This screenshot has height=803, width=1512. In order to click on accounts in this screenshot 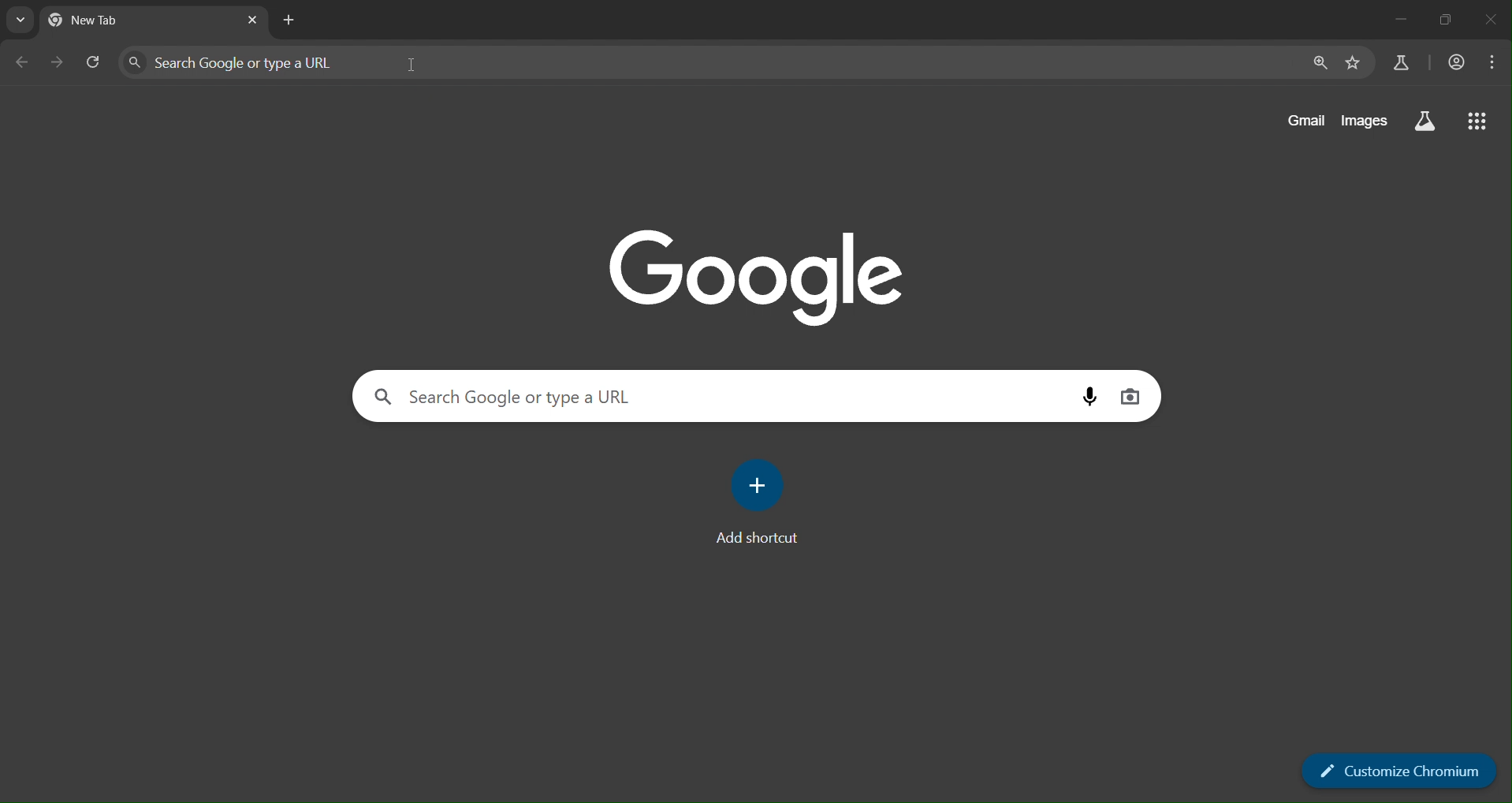, I will do `click(1458, 62)`.